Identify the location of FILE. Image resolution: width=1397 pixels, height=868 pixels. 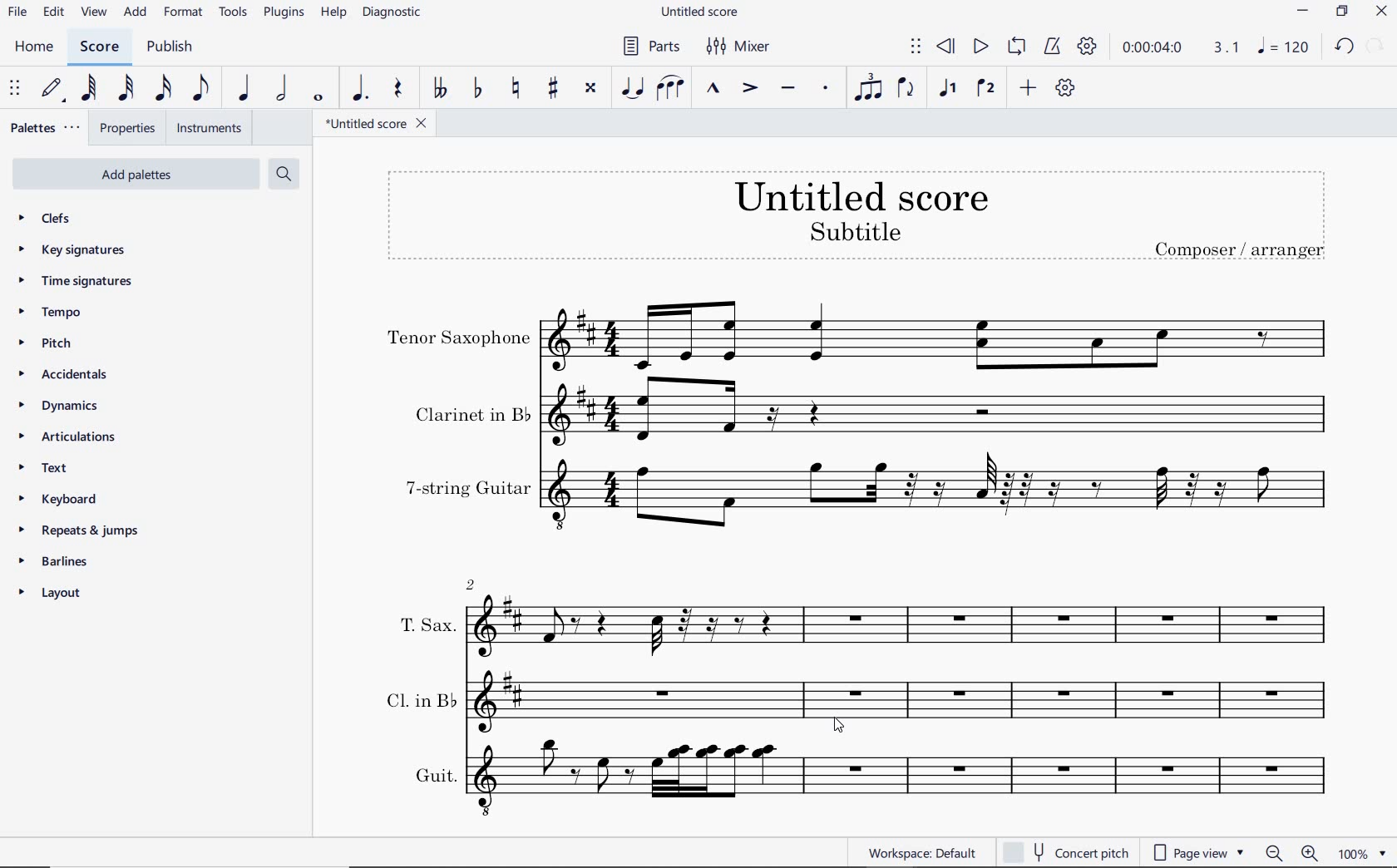
(17, 13).